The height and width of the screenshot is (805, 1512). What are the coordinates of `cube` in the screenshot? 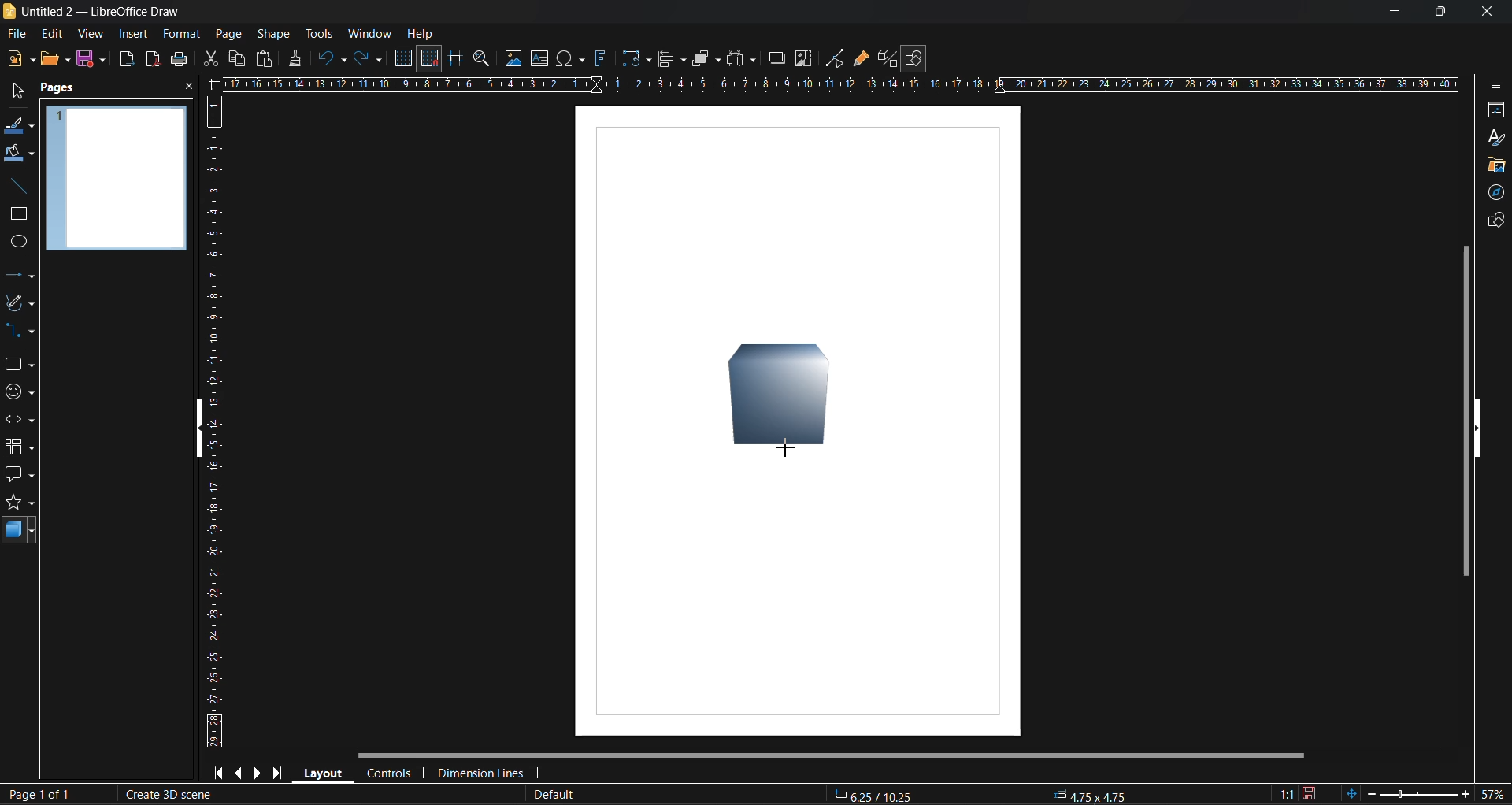 It's located at (783, 397).